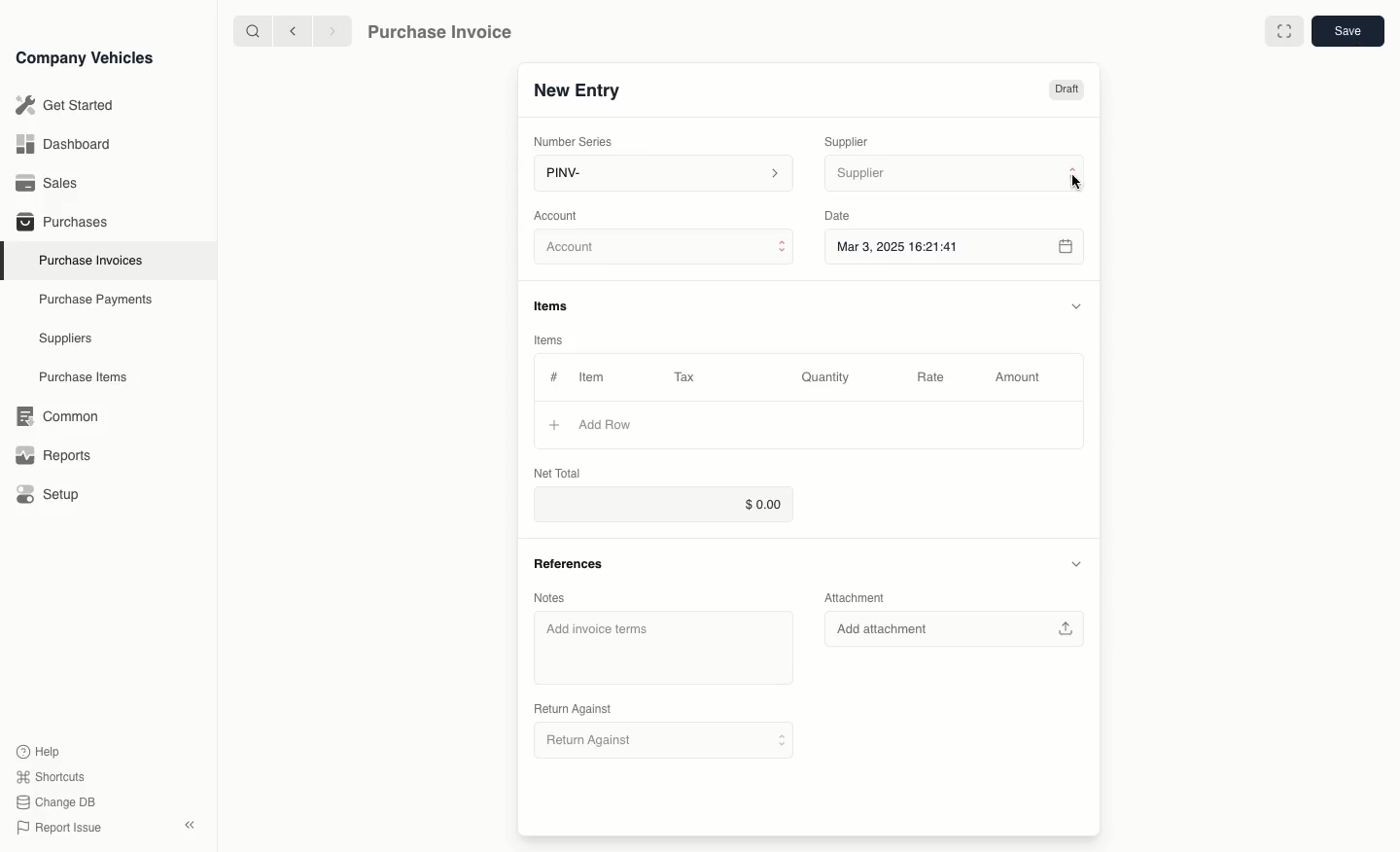 Image resolution: width=1400 pixels, height=852 pixels. What do you see at coordinates (590, 379) in the screenshot?
I see `Item` at bounding box center [590, 379].